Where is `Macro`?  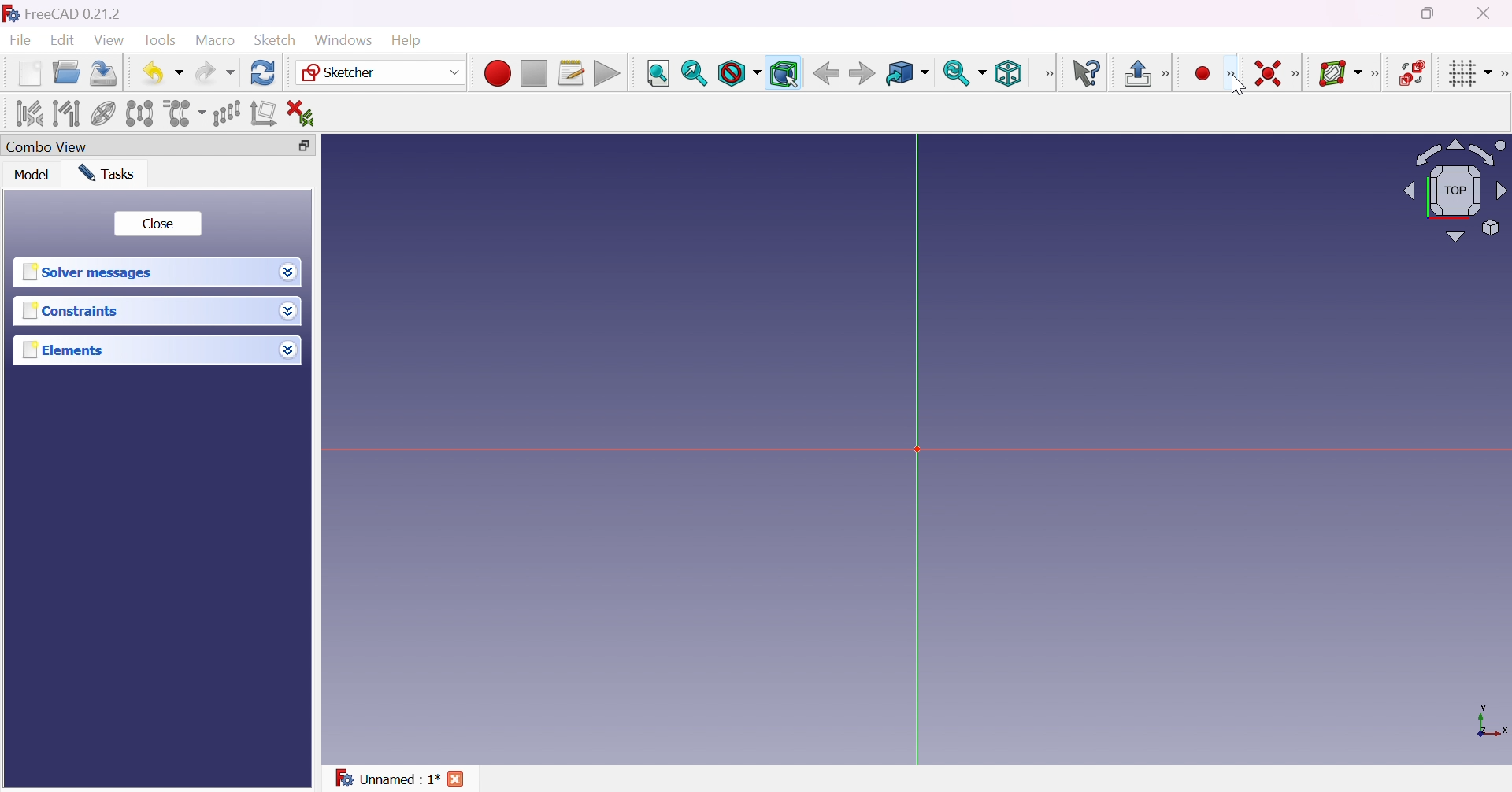
Macro is located at coordinates (216, 40).